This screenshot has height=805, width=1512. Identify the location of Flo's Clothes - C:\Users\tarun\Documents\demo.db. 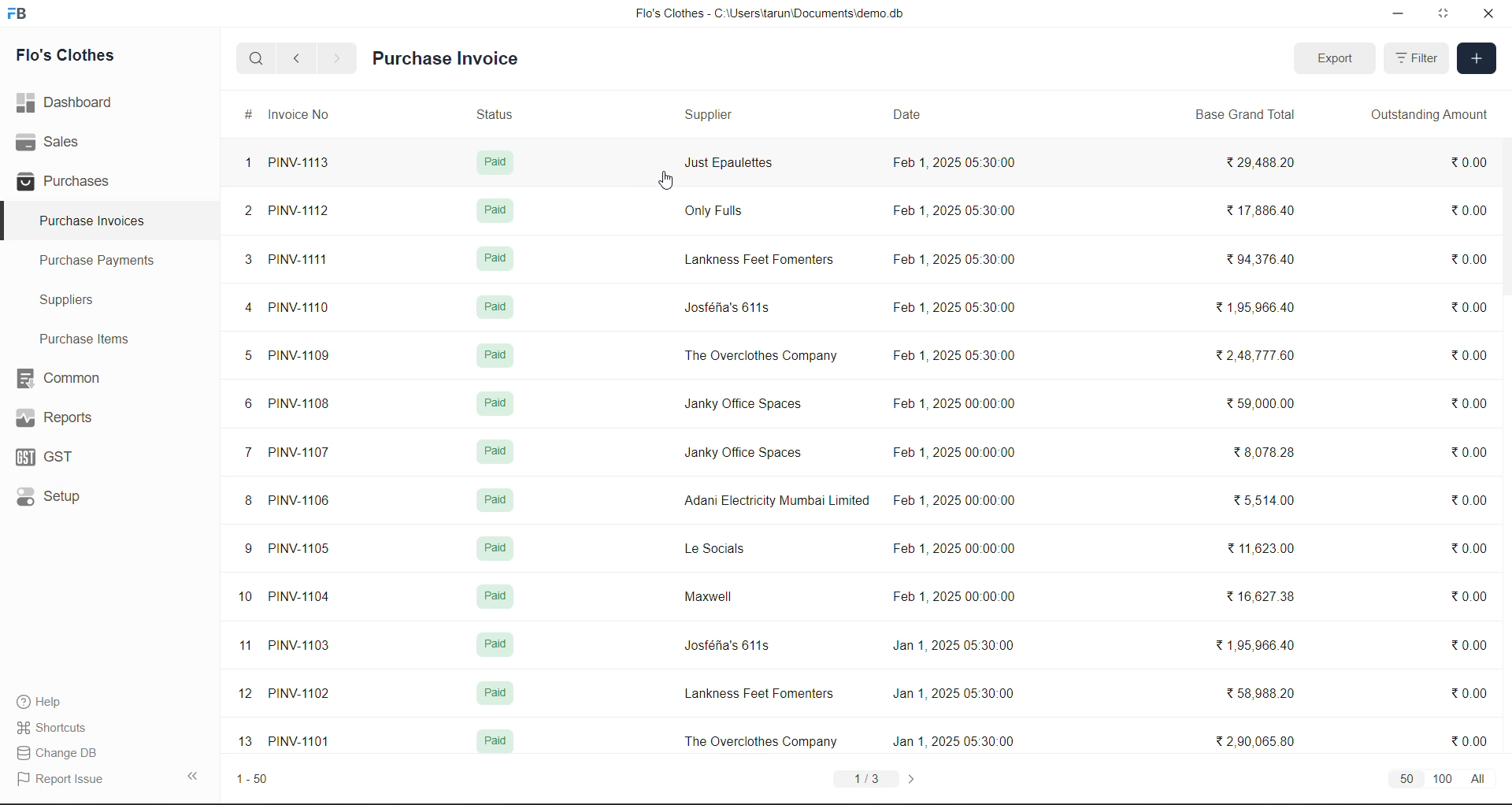
(769, 15).